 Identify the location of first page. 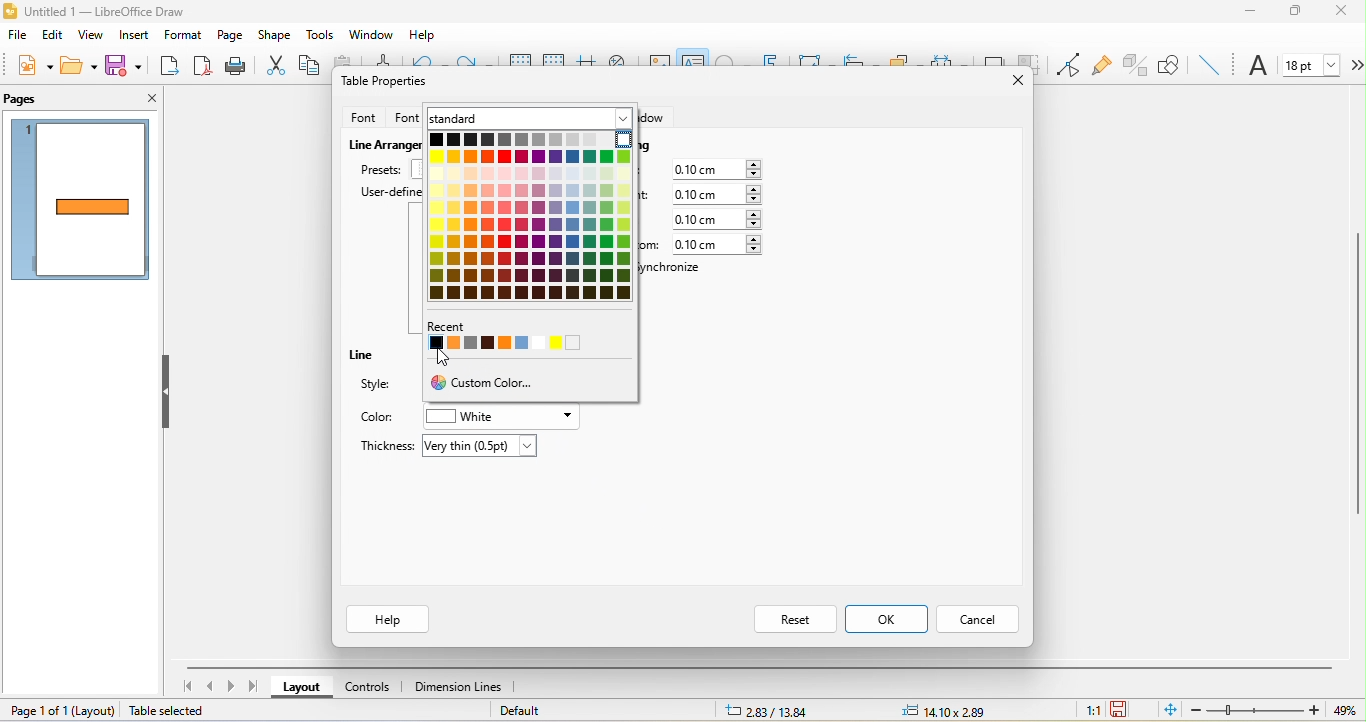
(187, 687).